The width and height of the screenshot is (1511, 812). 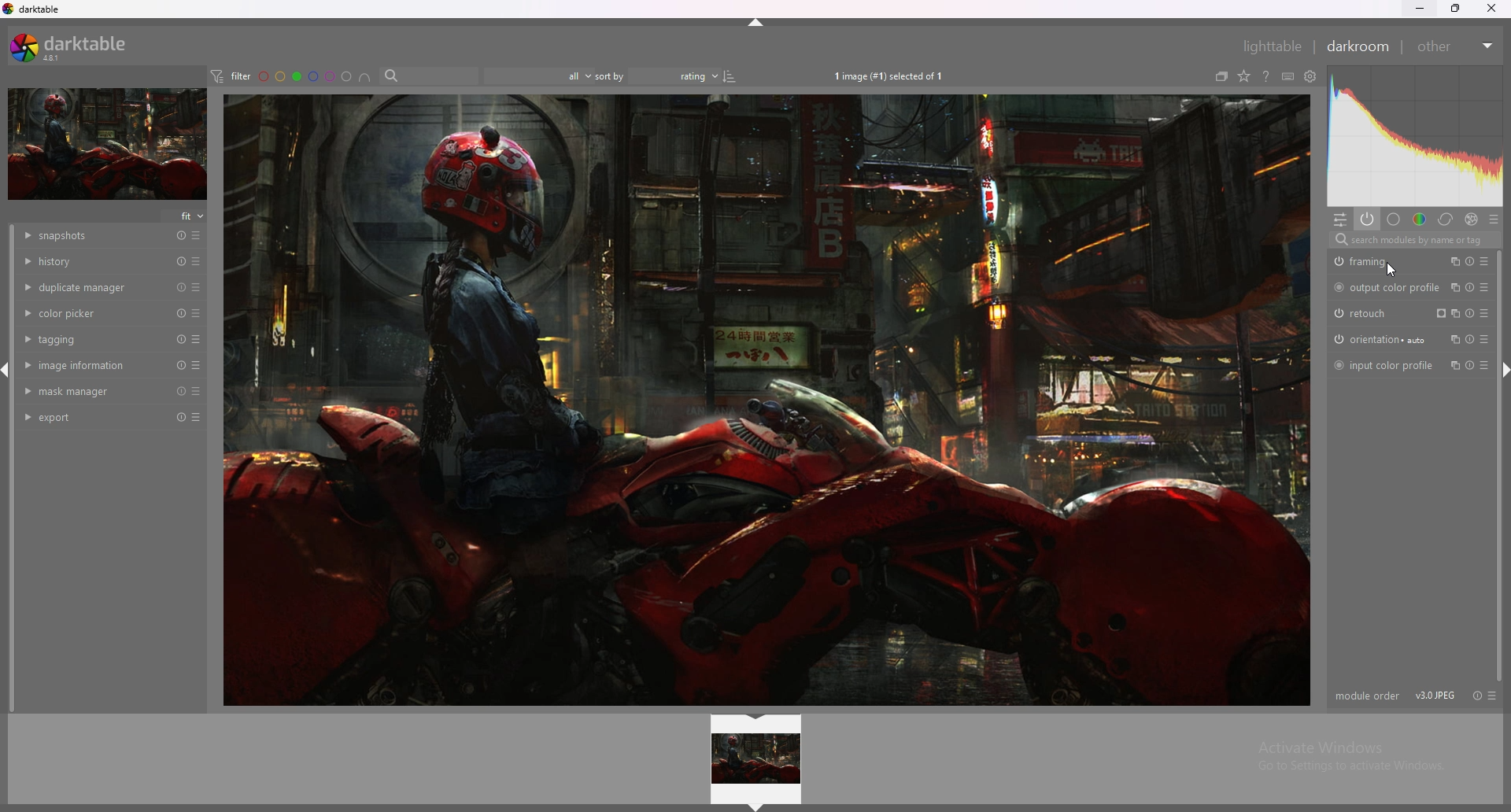 I want to click on reset, so click(x=1477, y=696).